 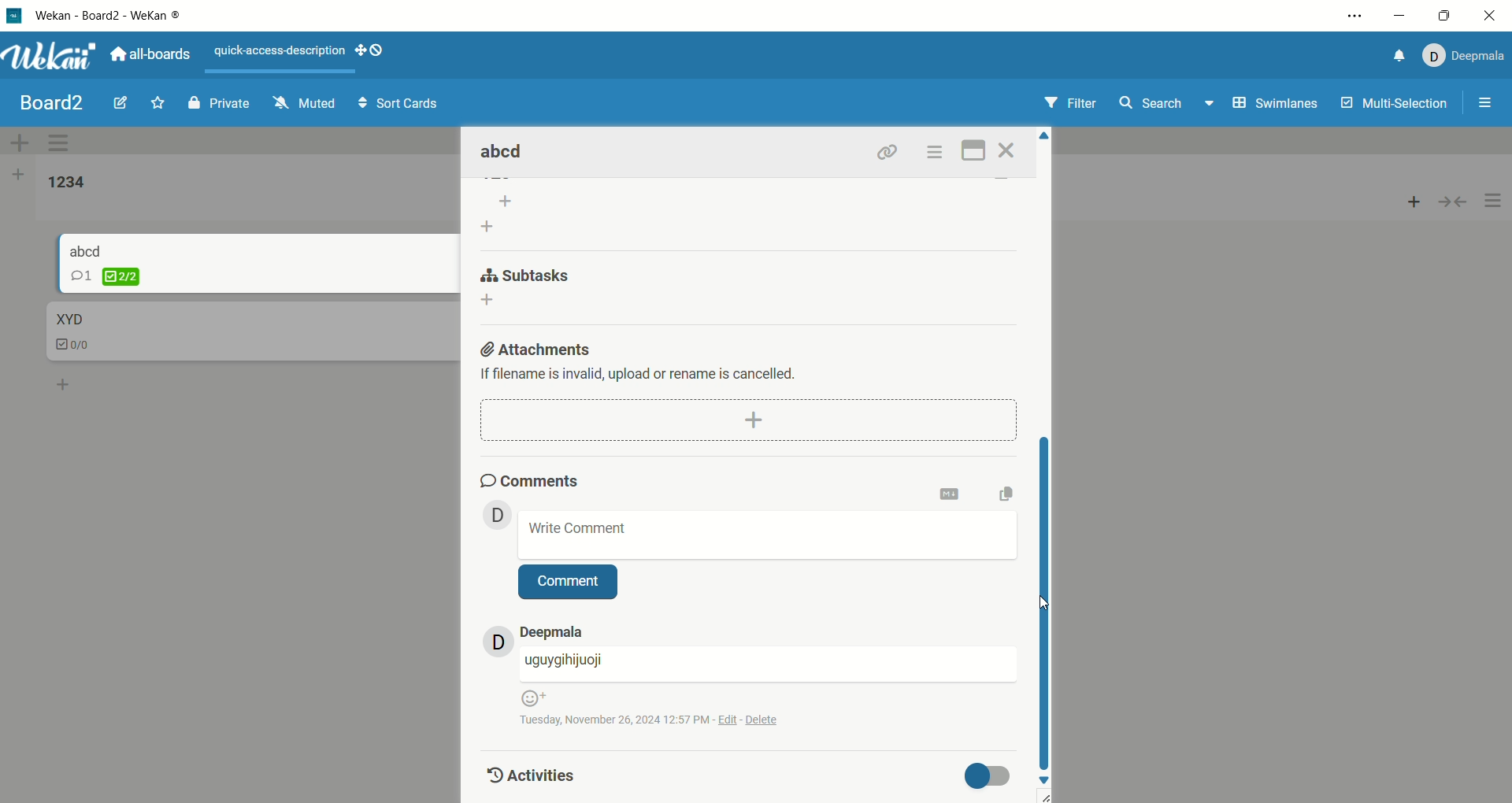 I want to click on add swimlane, so click(x=20, y=142).